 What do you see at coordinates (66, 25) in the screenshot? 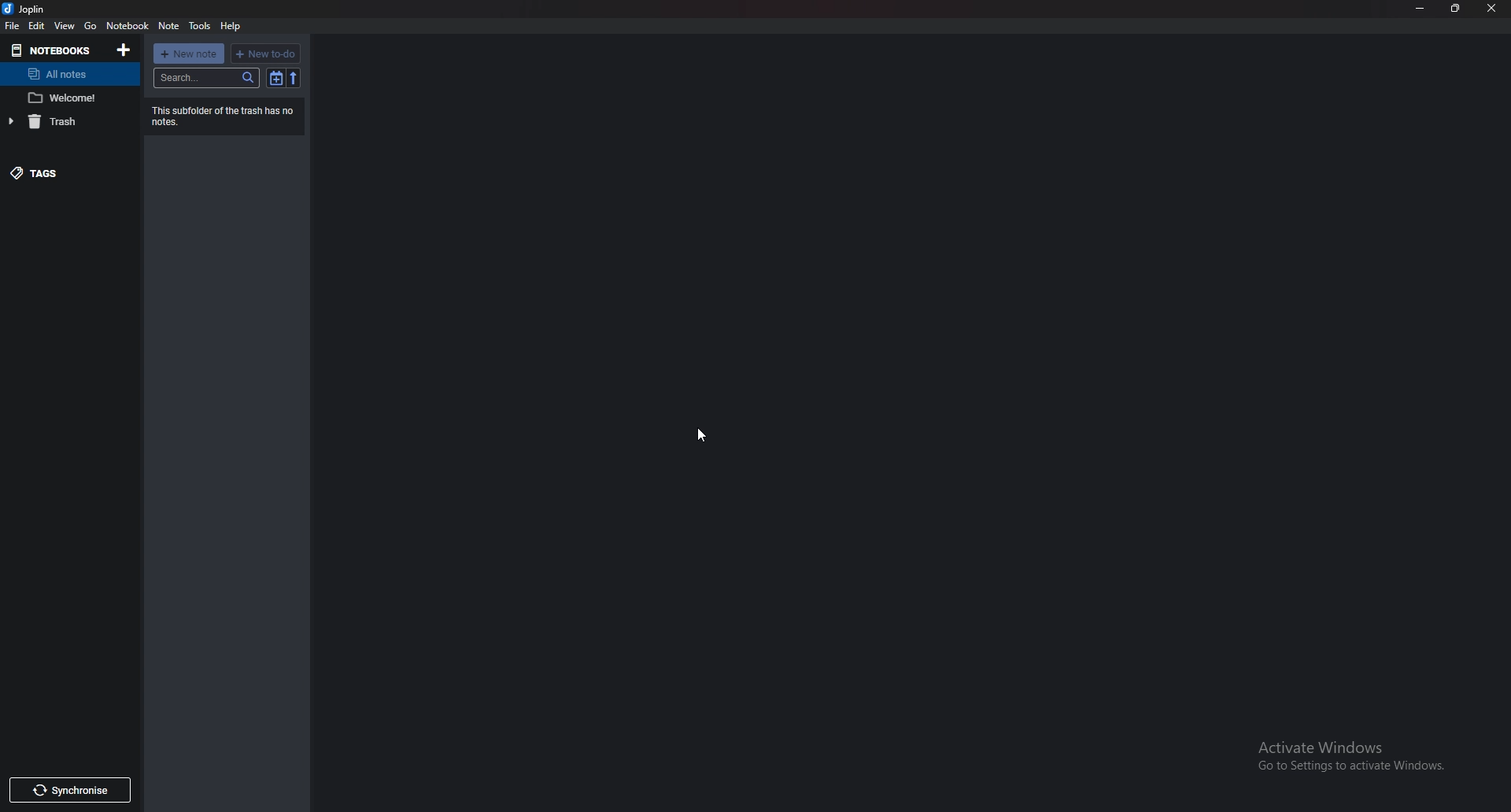
I see `view` at bounding box center [66, 25].